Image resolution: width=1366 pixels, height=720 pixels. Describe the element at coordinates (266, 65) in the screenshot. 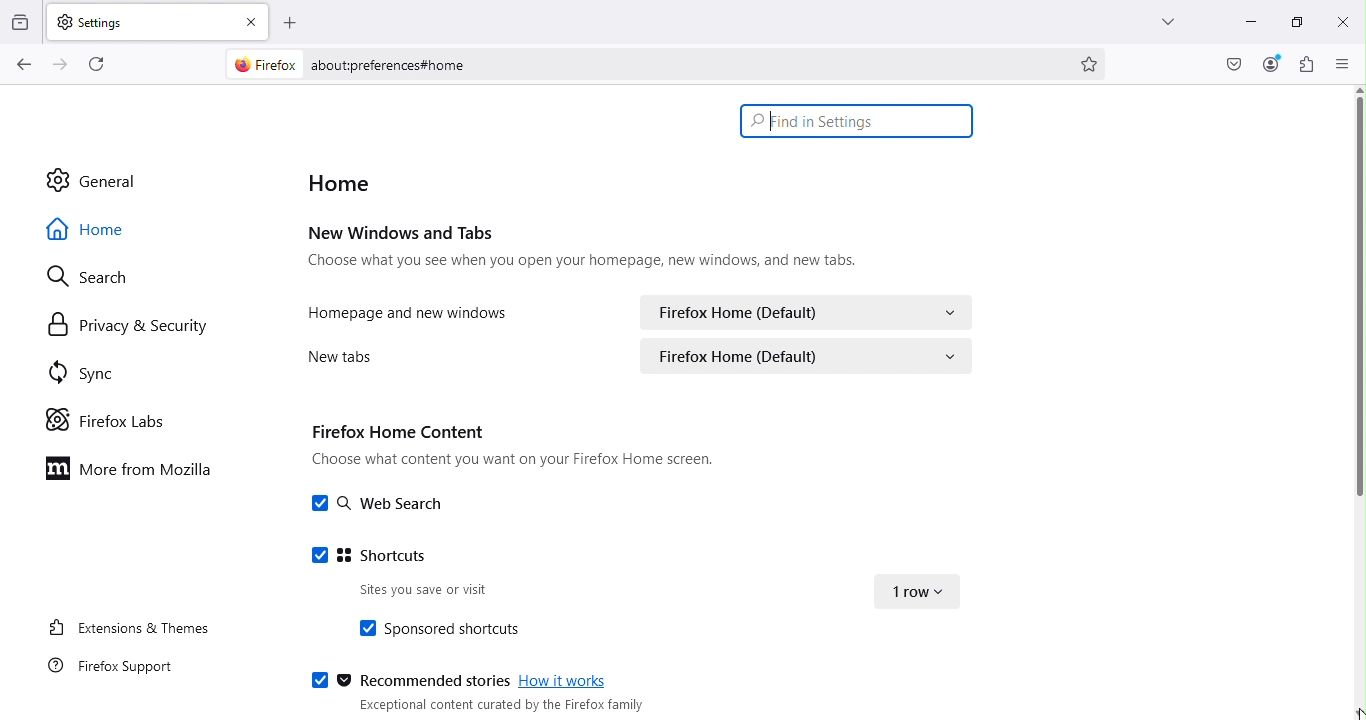

I see `firefox logo` at that location.